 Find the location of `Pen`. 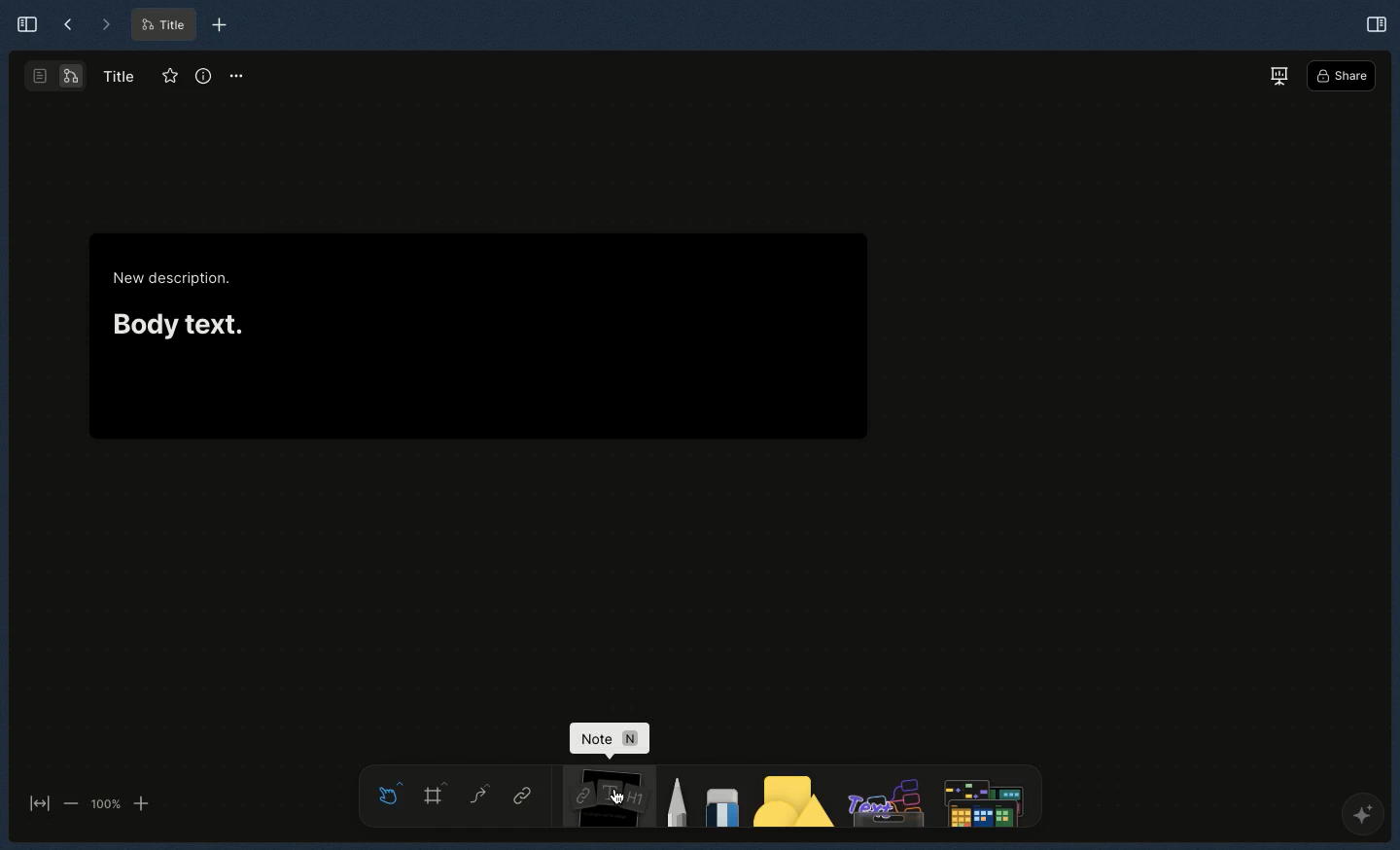

Pen is located at coordinates (676, 799).